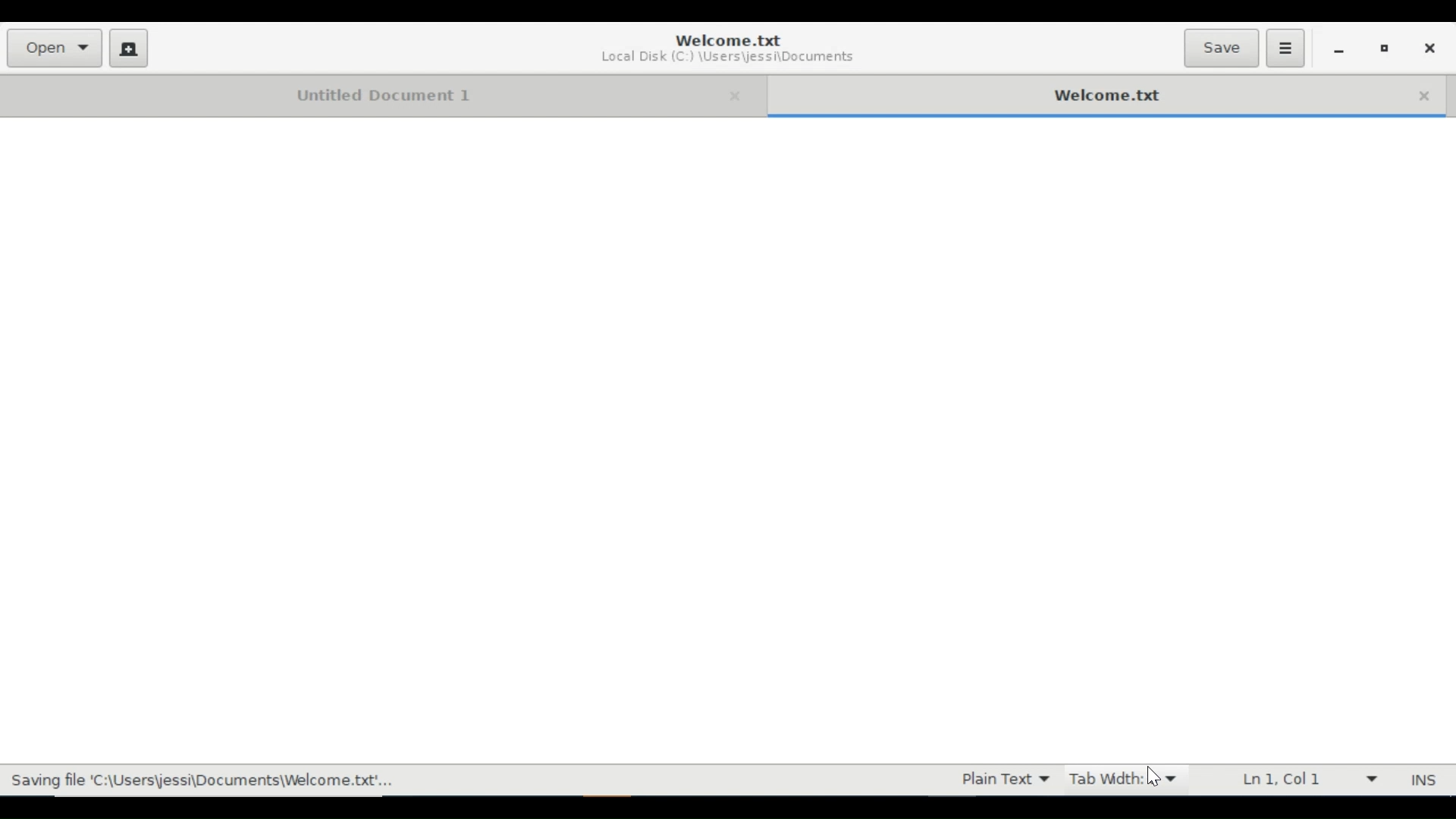 This screenshot has height=819, width=1456. Describe the element at coordinates (55, 49) in the screenshot. I see `Open` at that location.